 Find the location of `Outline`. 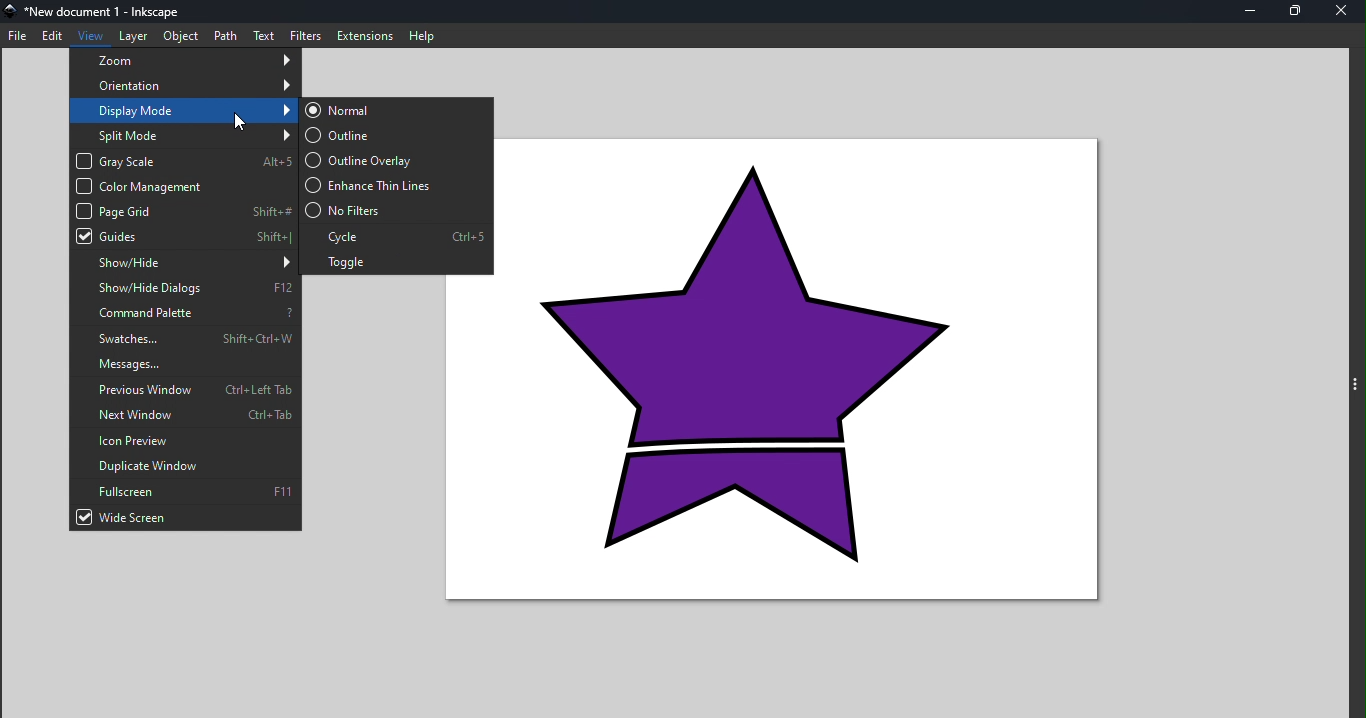

Outline is located at coordinates (399, 135).